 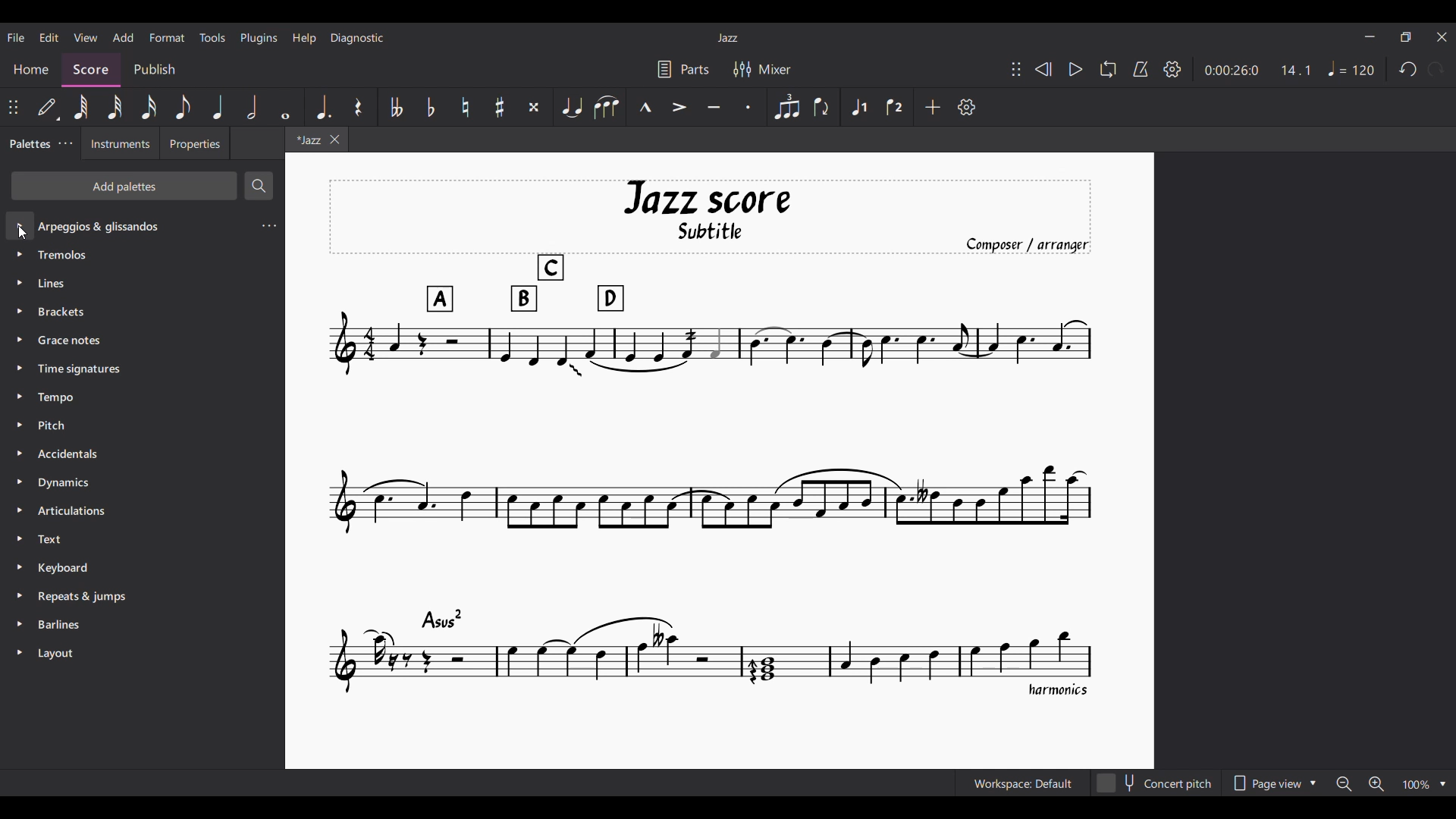 What do you see at coordinates (1406, 37) in the screenshot?
I see `Show in smaller tab` at bounding box center [1406, 37].